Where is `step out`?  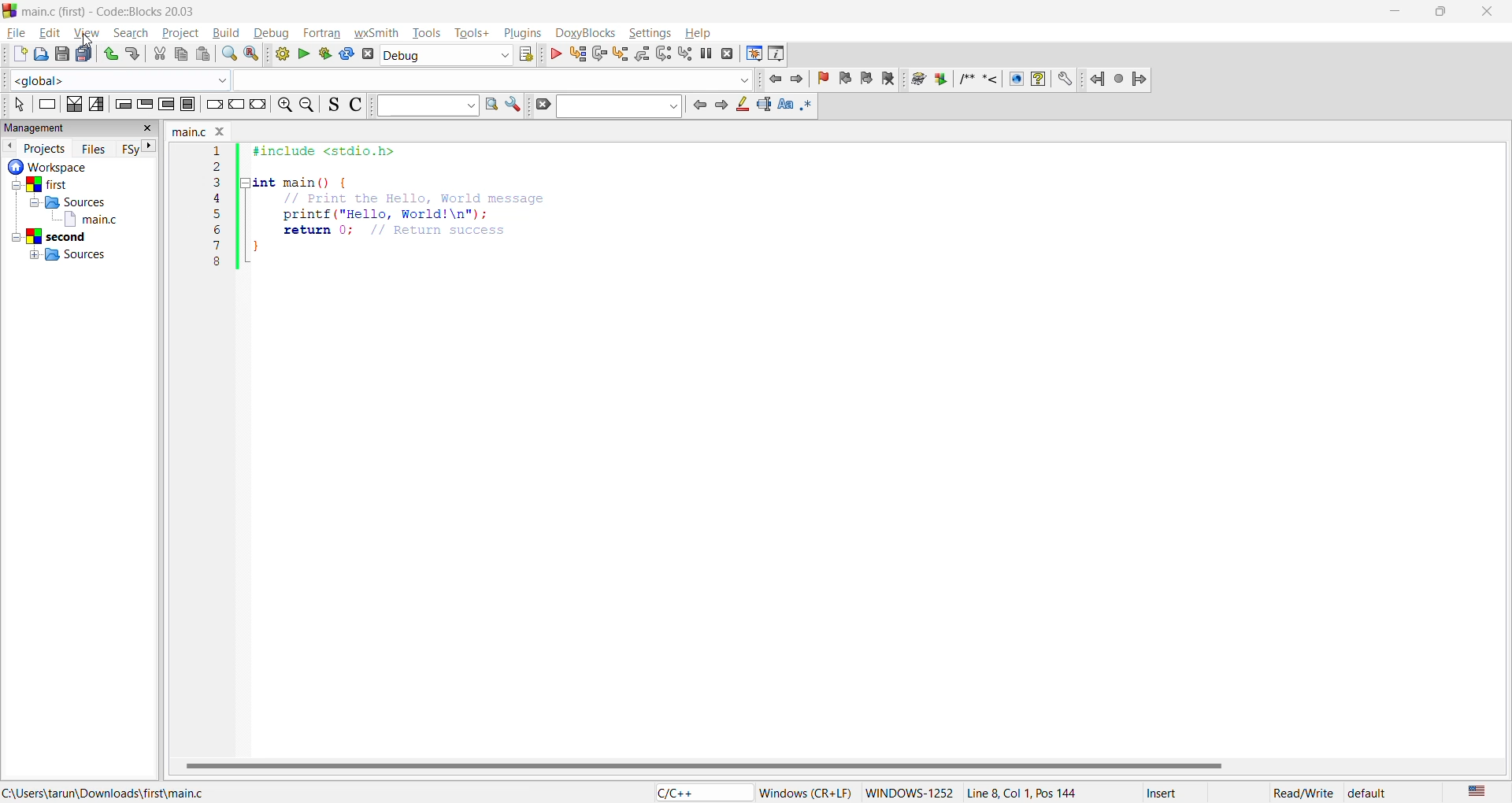
step out is located at coordinates (641, 54).